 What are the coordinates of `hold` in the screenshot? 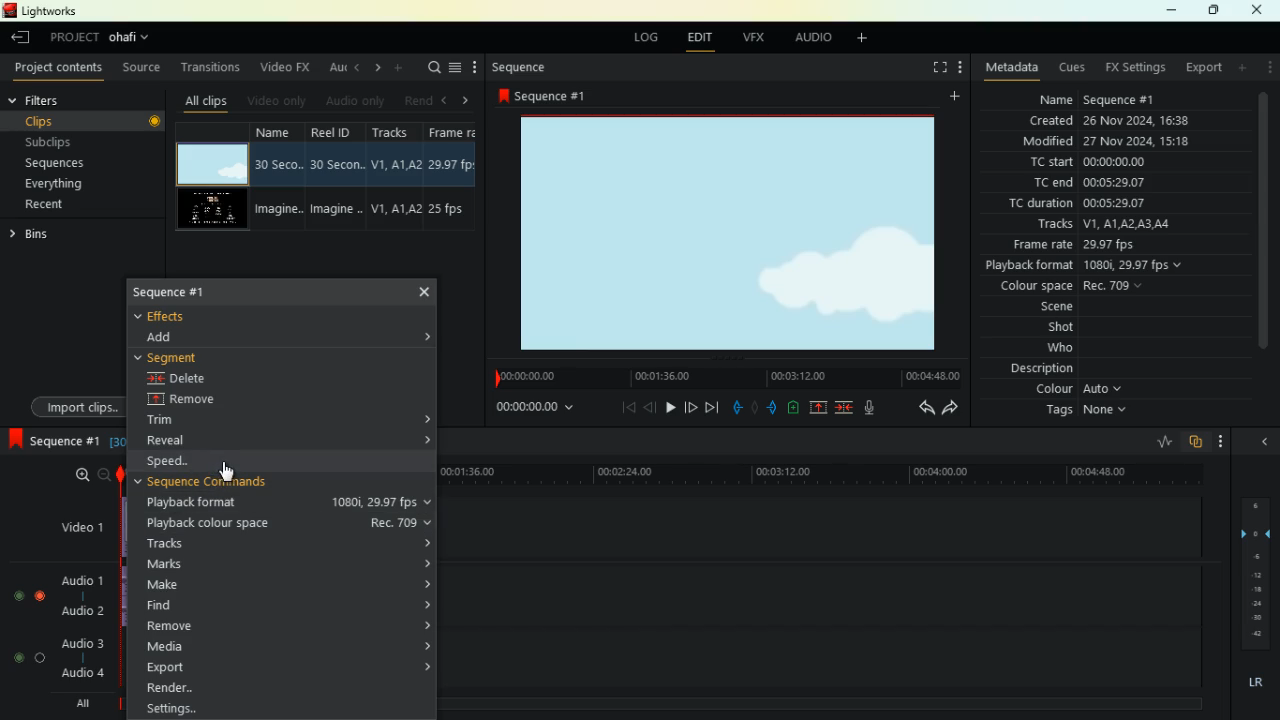 It's located at (754, 406).